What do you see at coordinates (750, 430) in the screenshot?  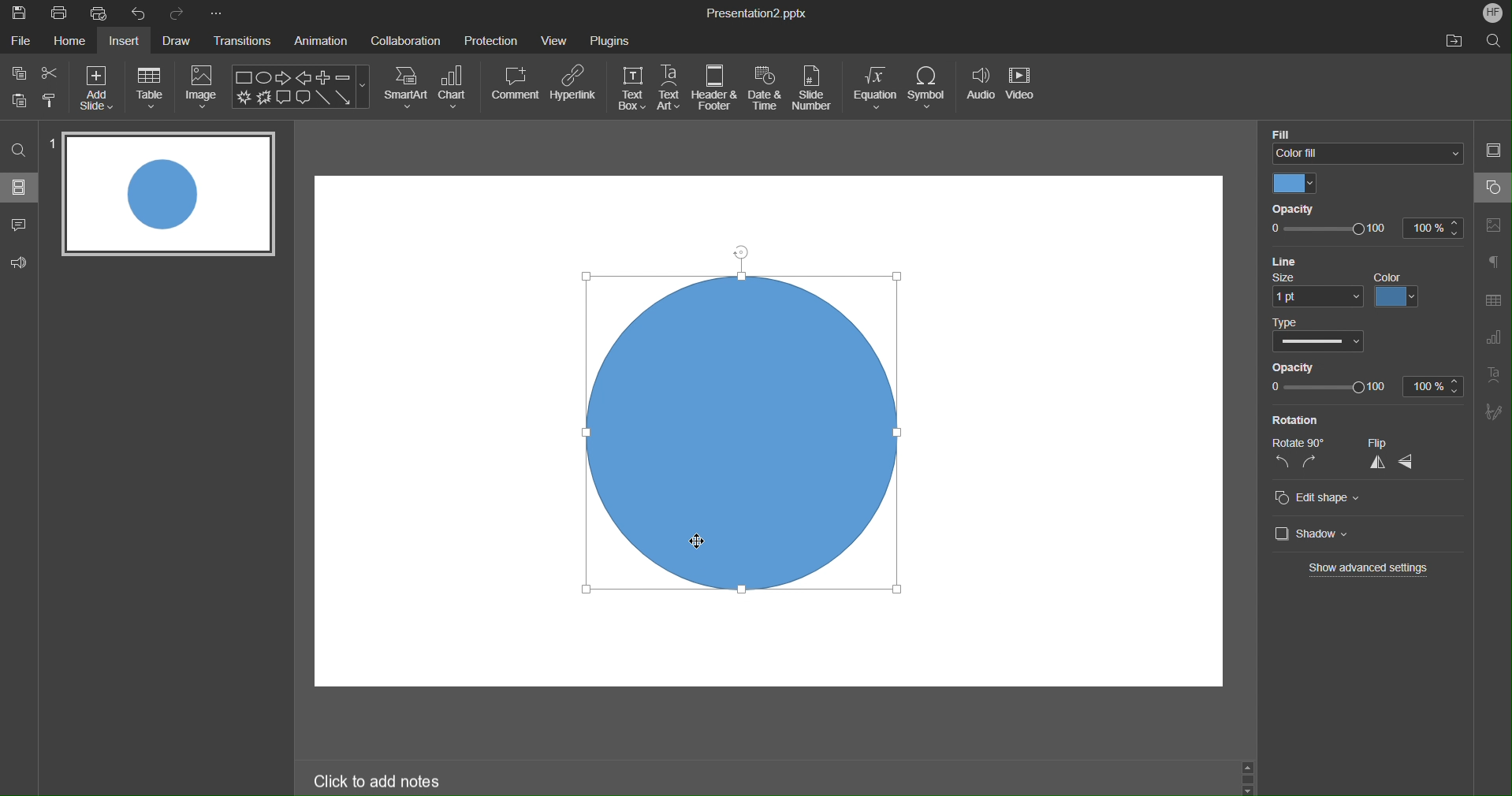 I see `Circle with bevel` at bounding box center [750, 430].